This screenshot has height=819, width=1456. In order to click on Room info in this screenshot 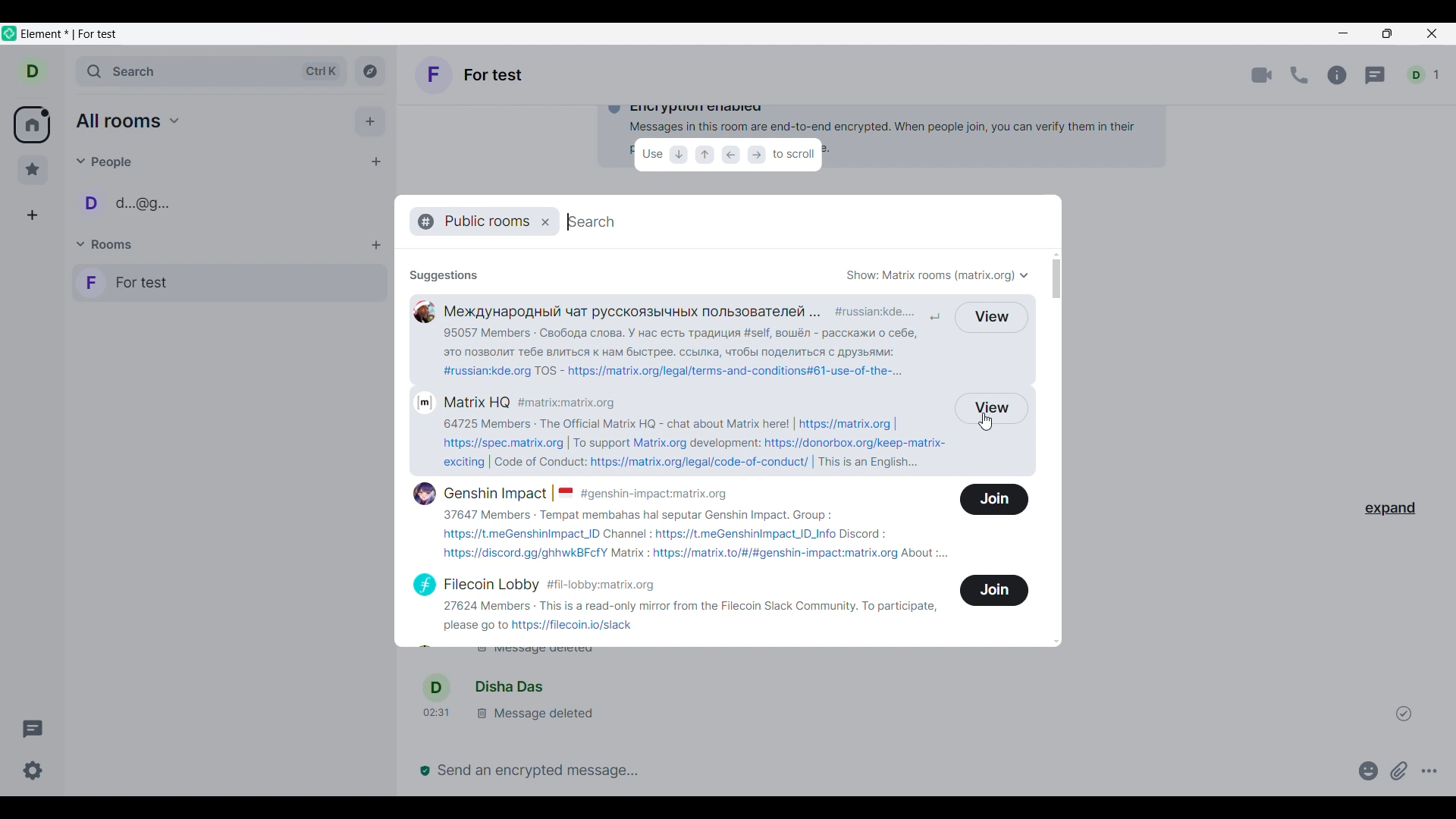, I will do `click(1338, 75)`.